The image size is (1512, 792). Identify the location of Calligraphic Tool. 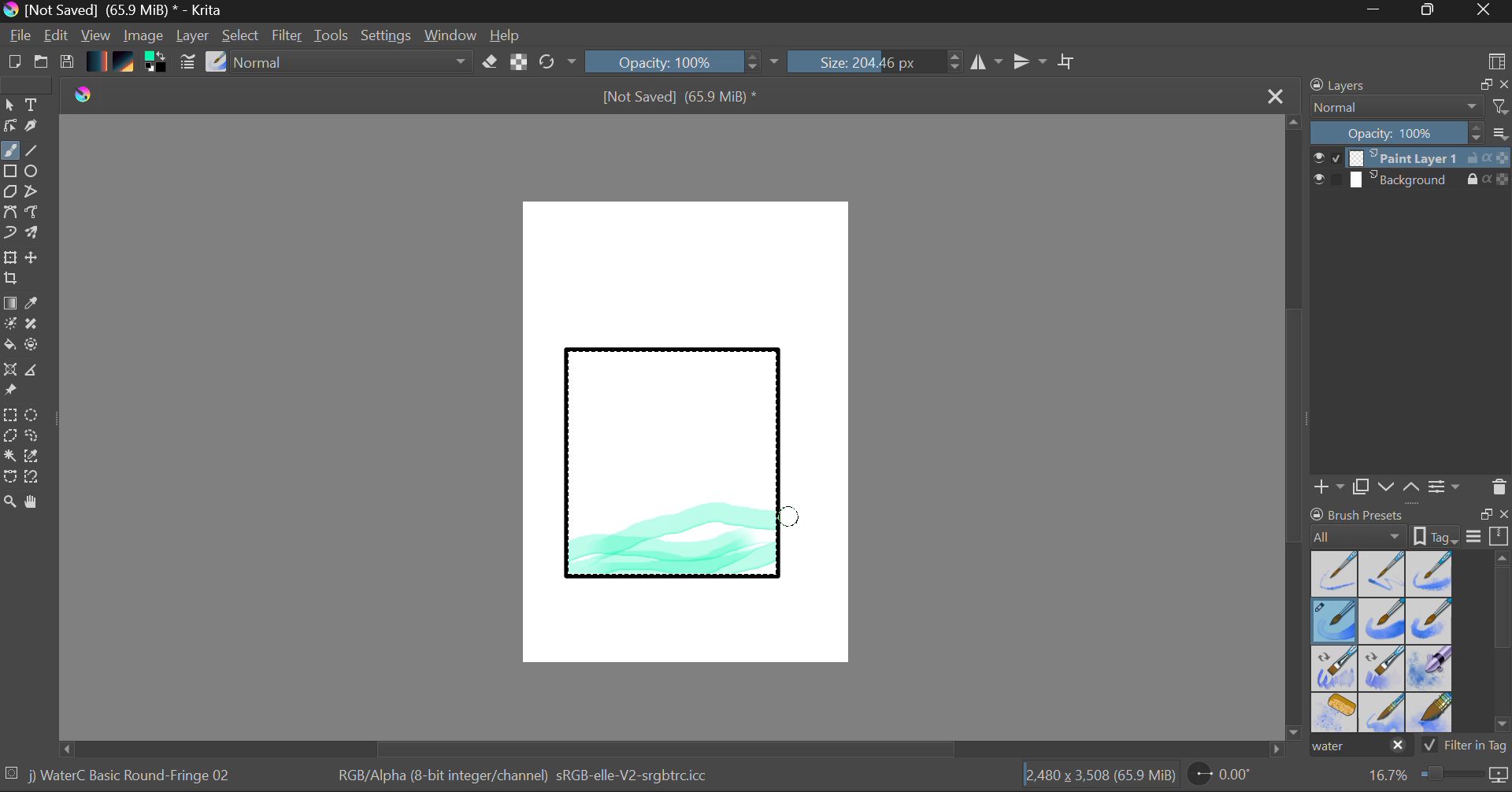
(37, 129).